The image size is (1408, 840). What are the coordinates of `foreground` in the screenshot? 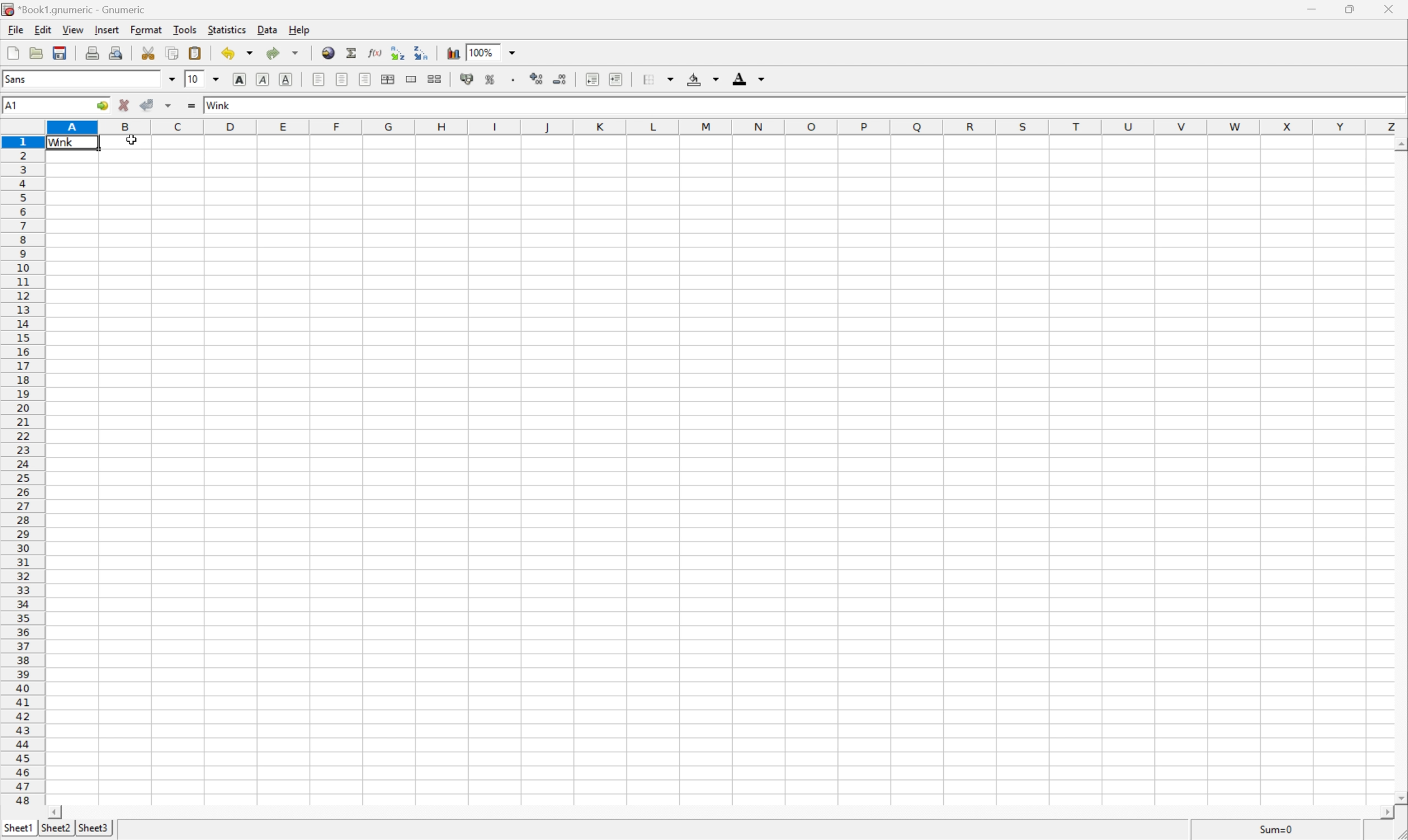 It's located at (751, 78).